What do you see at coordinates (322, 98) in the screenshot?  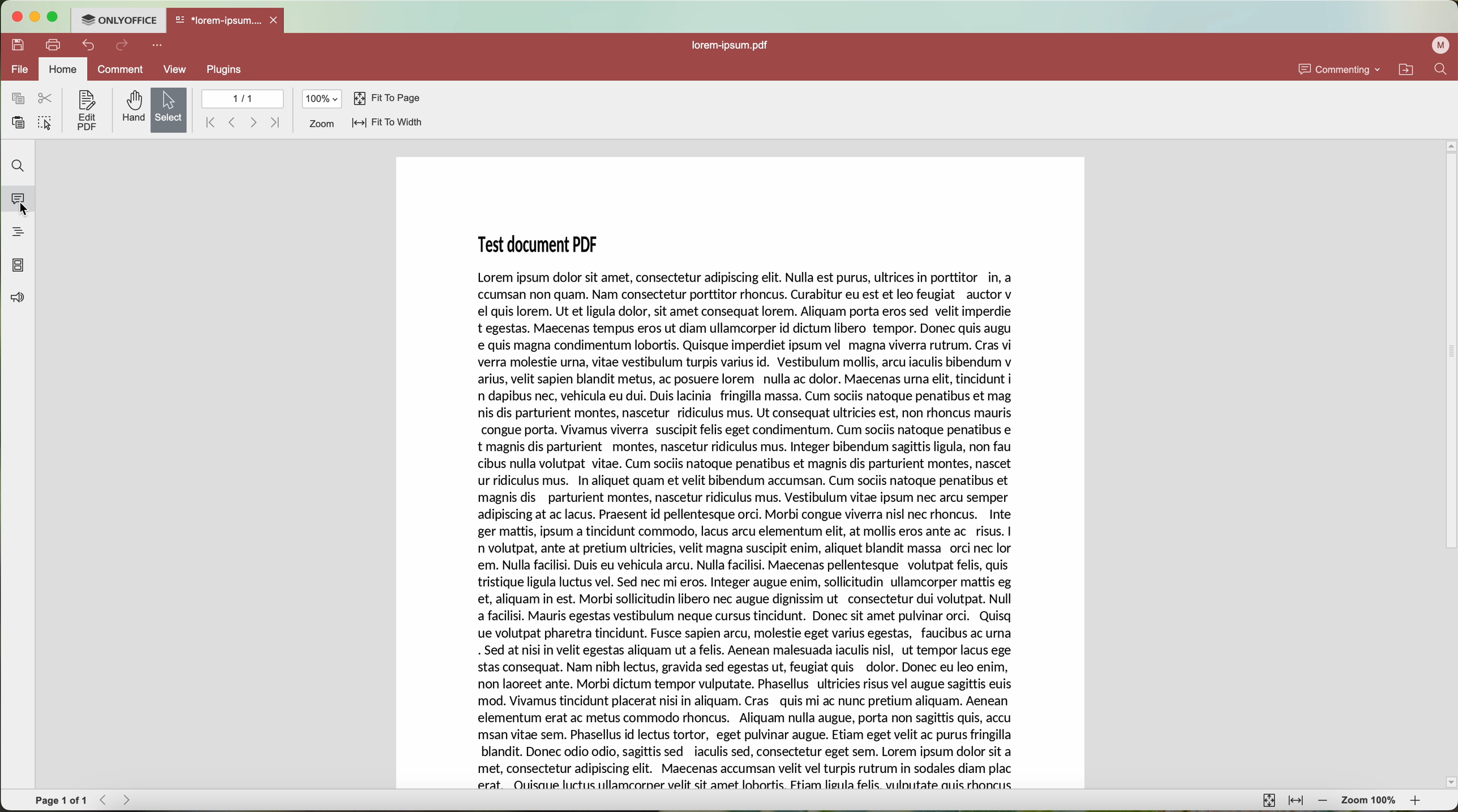 I see `100%` at bounding box center [322, 98].